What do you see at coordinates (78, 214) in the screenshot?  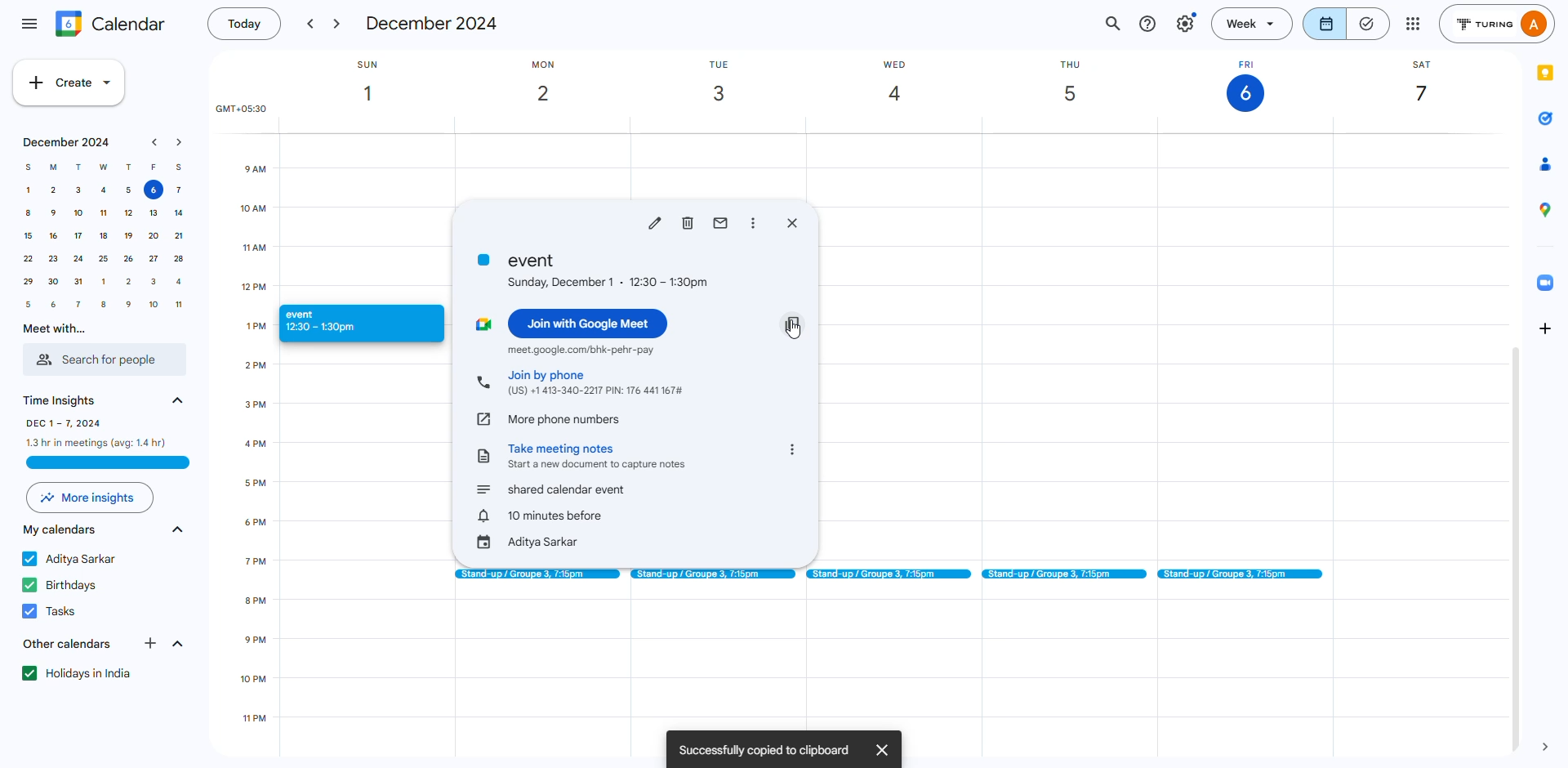 I see `10` at bounding box center [78, 214].